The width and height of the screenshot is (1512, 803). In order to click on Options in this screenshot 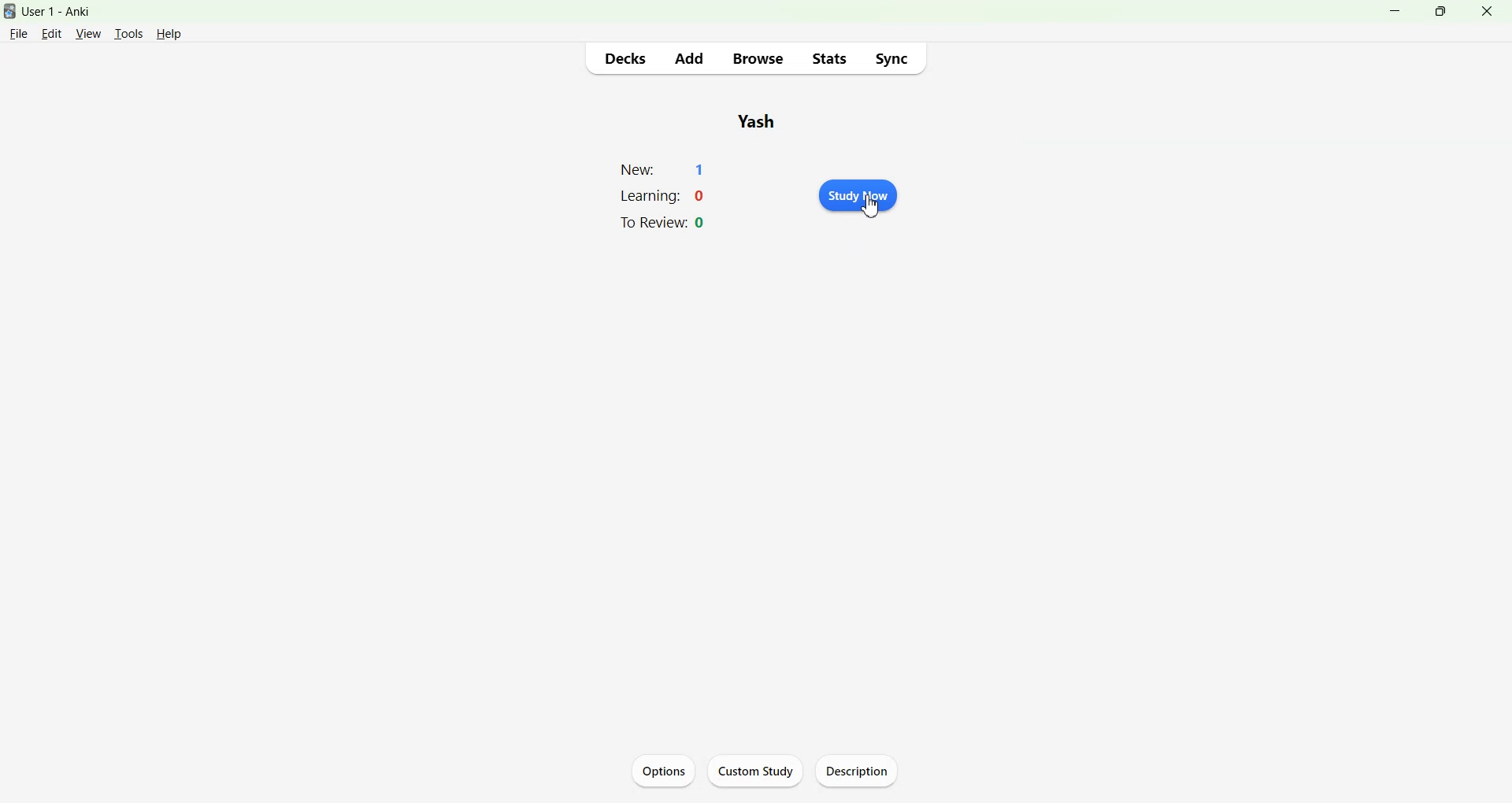, I will do `click(664, 770)`.